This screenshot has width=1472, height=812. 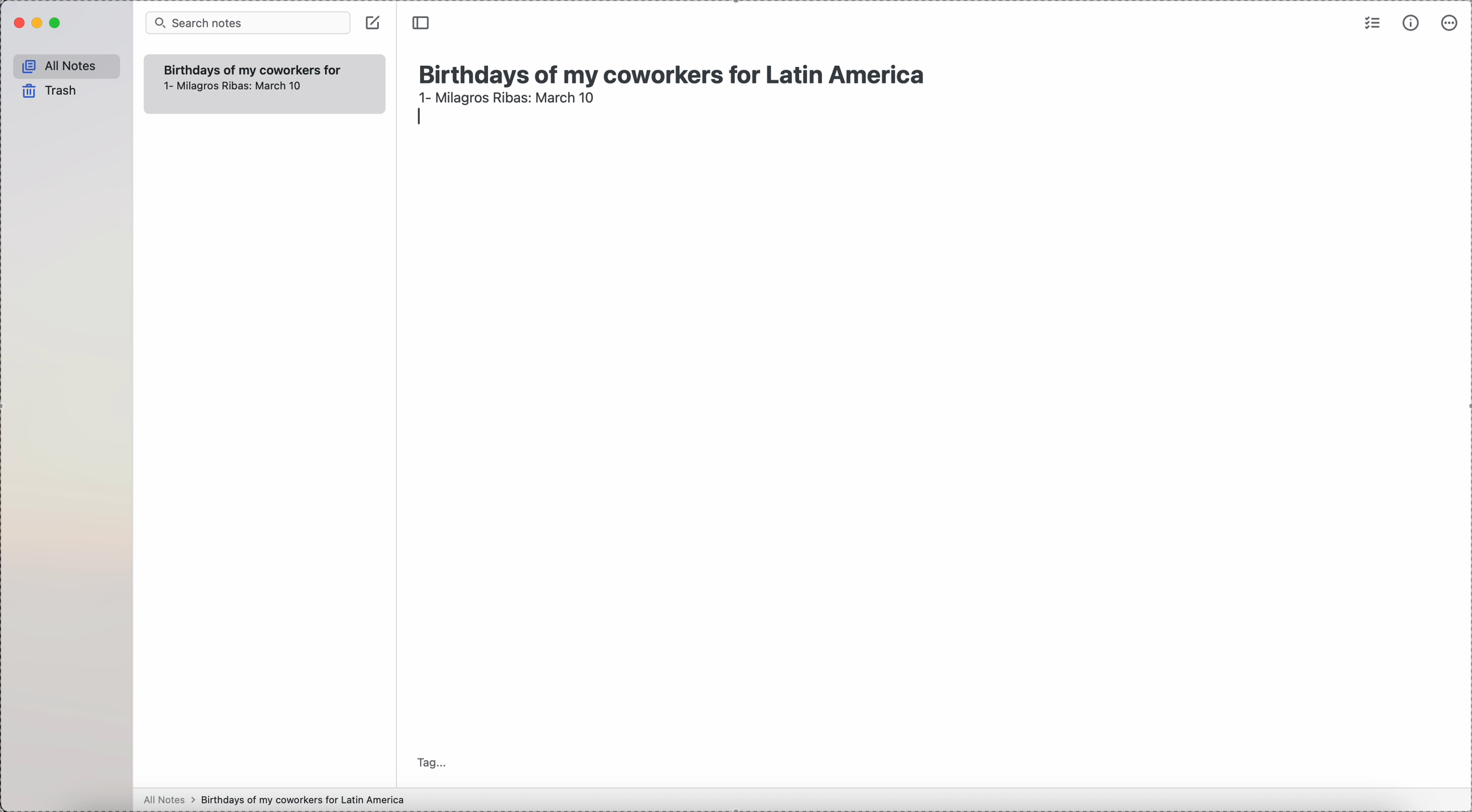 I want to click on 1- Milagros, so click(x=506, y=97).